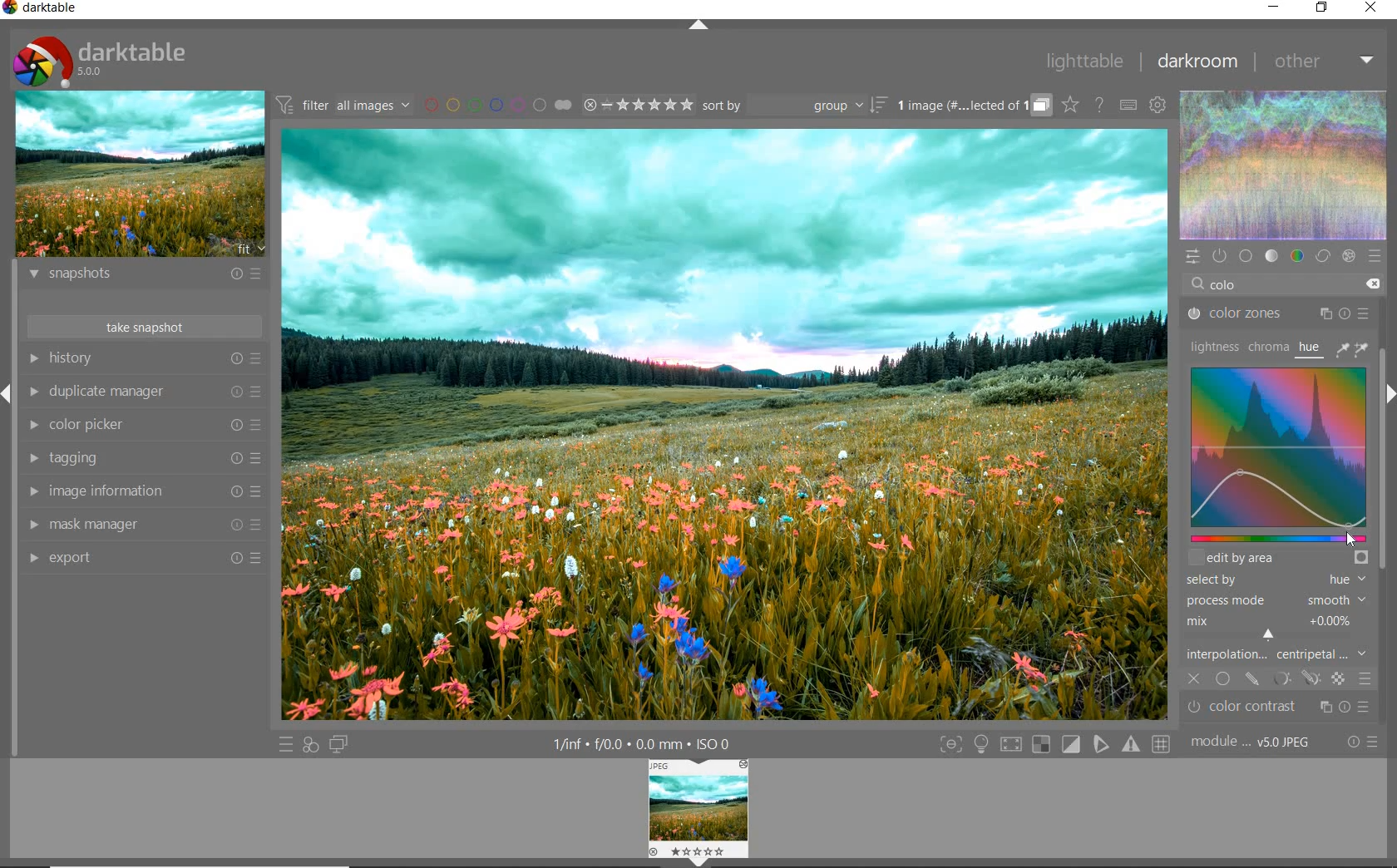 The height and width of the screenshot is (868, 1397). Describe the element at coordinates (1268, 347) in the screenshot. I see `chroma` at that location.